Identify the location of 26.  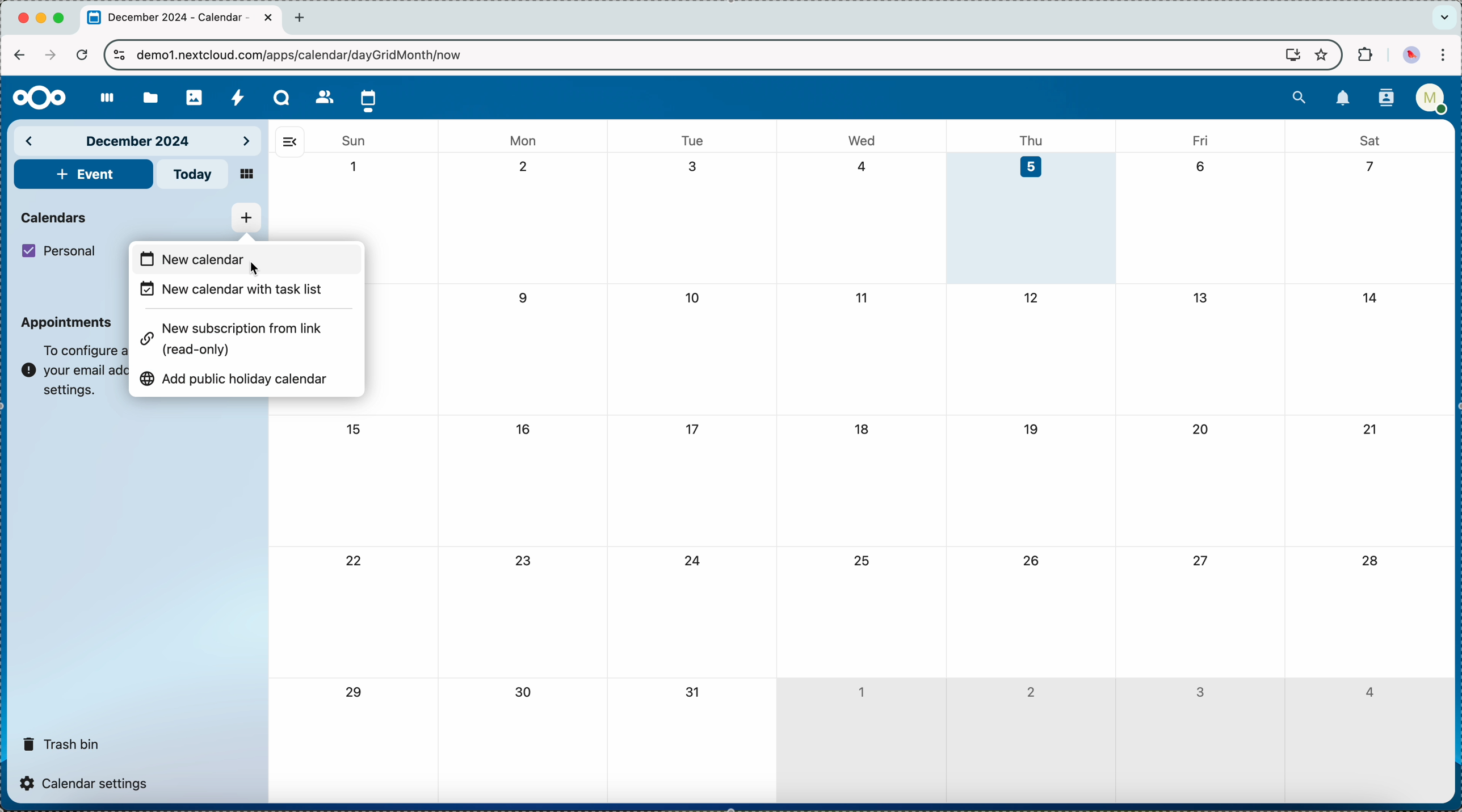
(1032, 559).